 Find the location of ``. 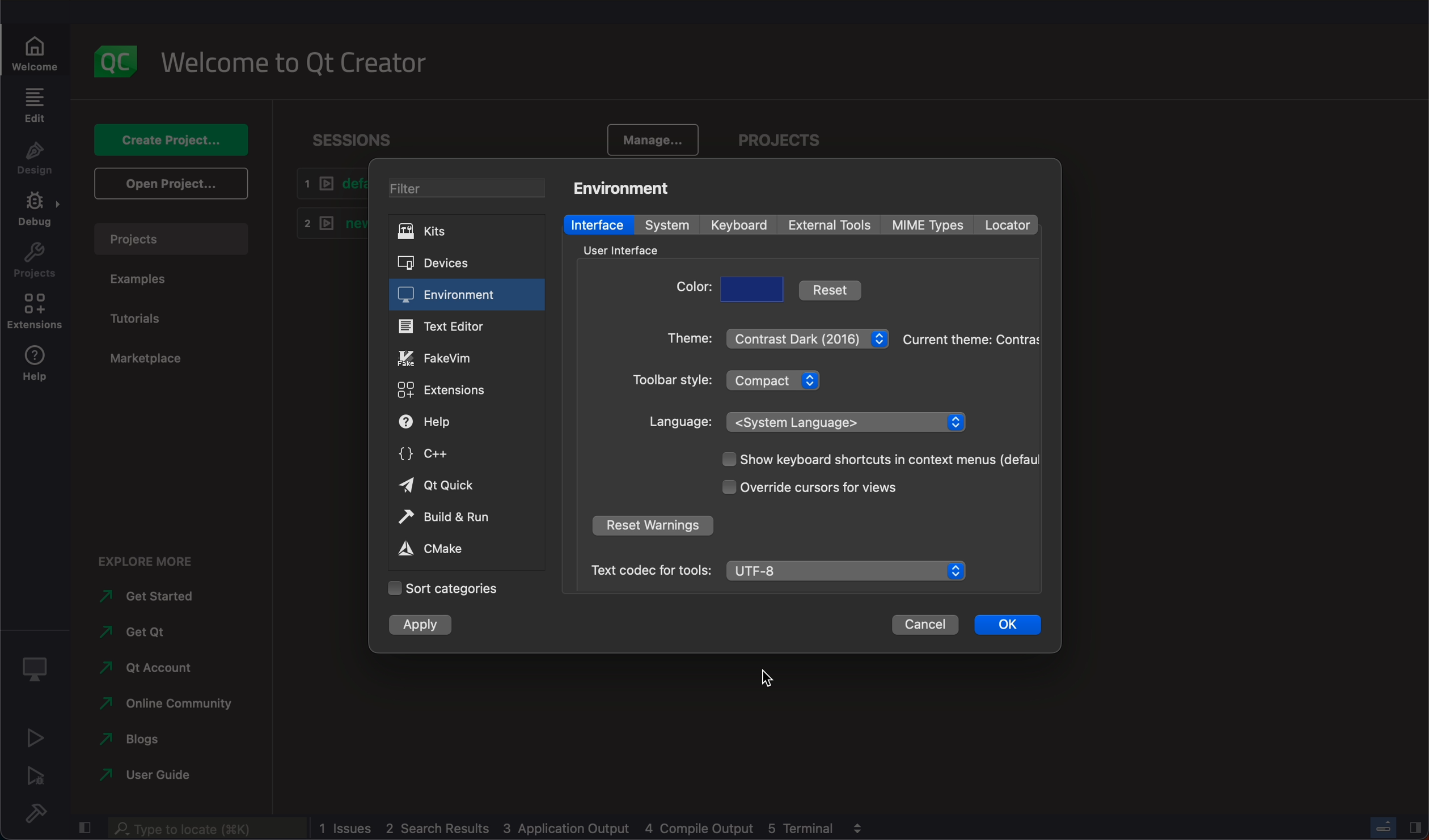

 is located at coordinates (618, 250).